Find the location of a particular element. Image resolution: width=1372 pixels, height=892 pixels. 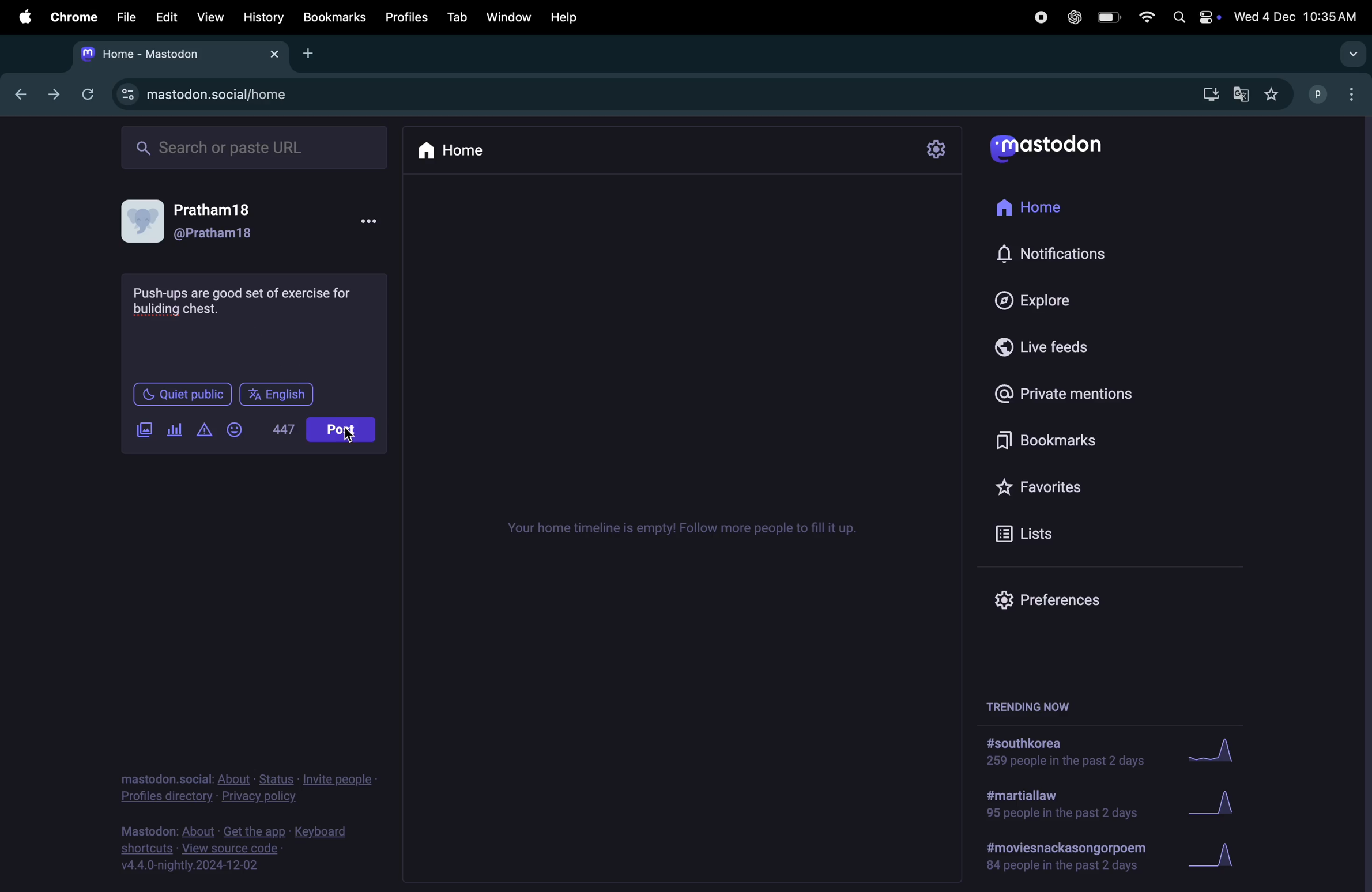

tab is located at coordinates (458, 17).